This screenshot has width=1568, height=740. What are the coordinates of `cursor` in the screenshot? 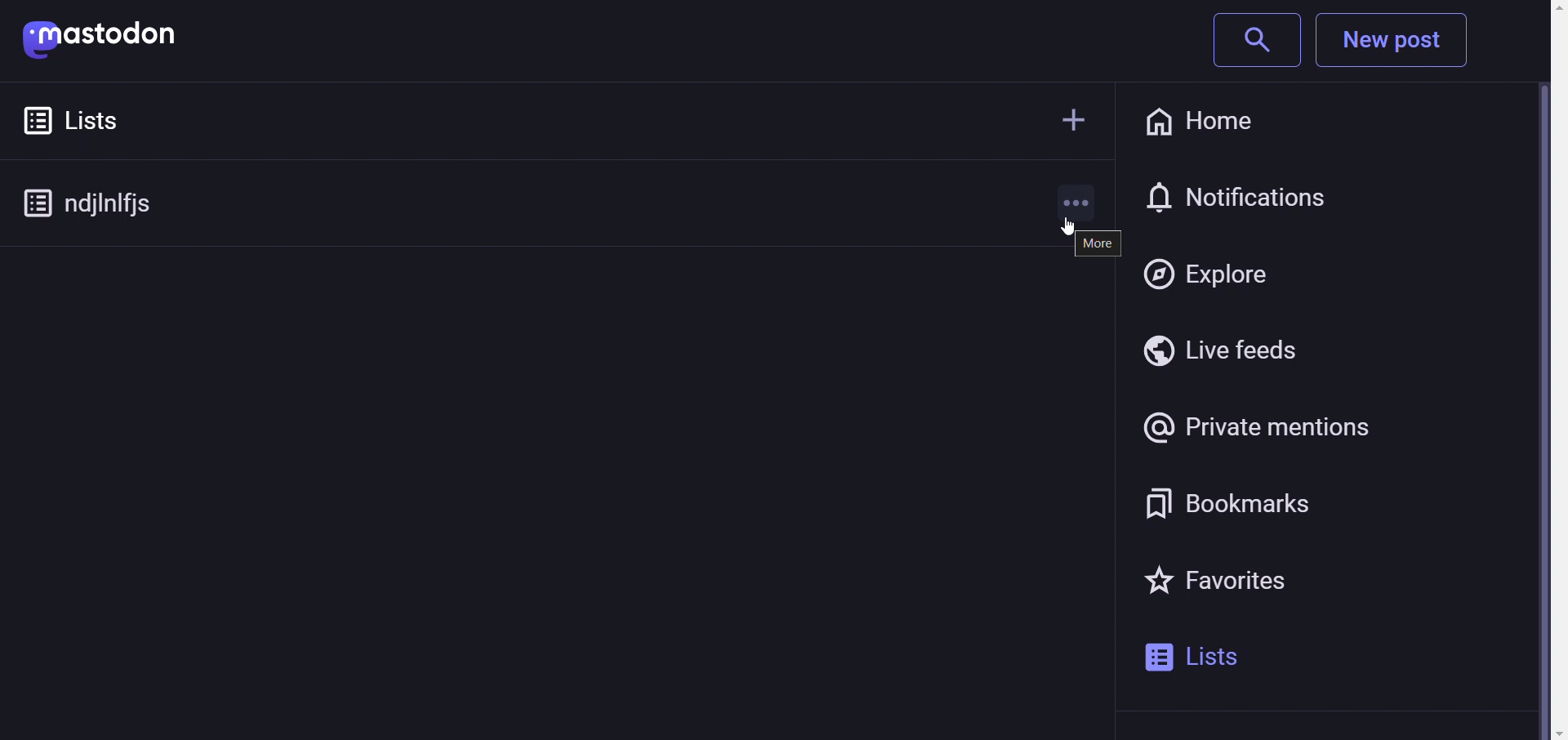 It's located at (1057, 234).